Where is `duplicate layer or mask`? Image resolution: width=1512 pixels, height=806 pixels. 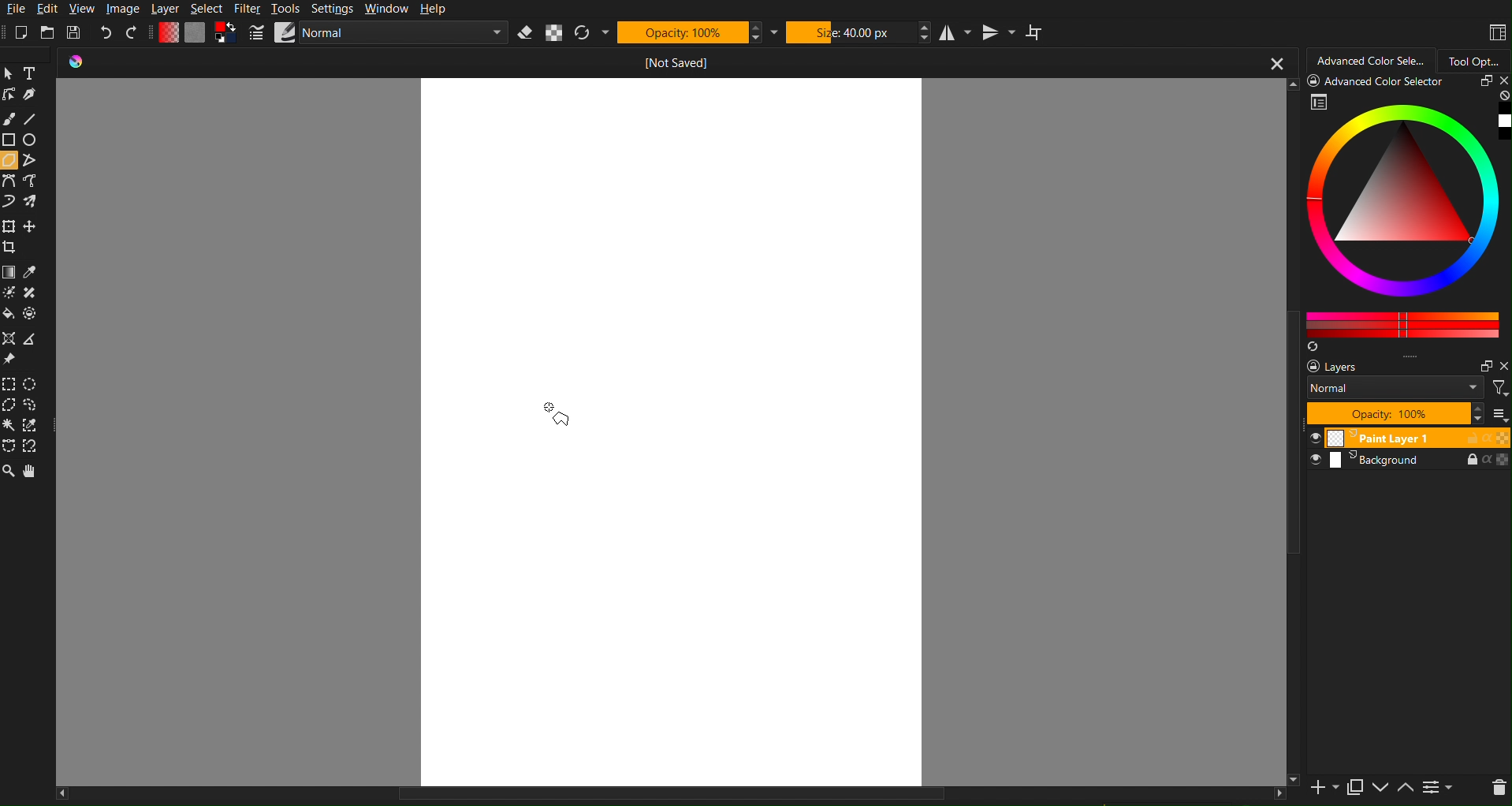
duplicate layer or mask is located at coordinates (1355, 787).